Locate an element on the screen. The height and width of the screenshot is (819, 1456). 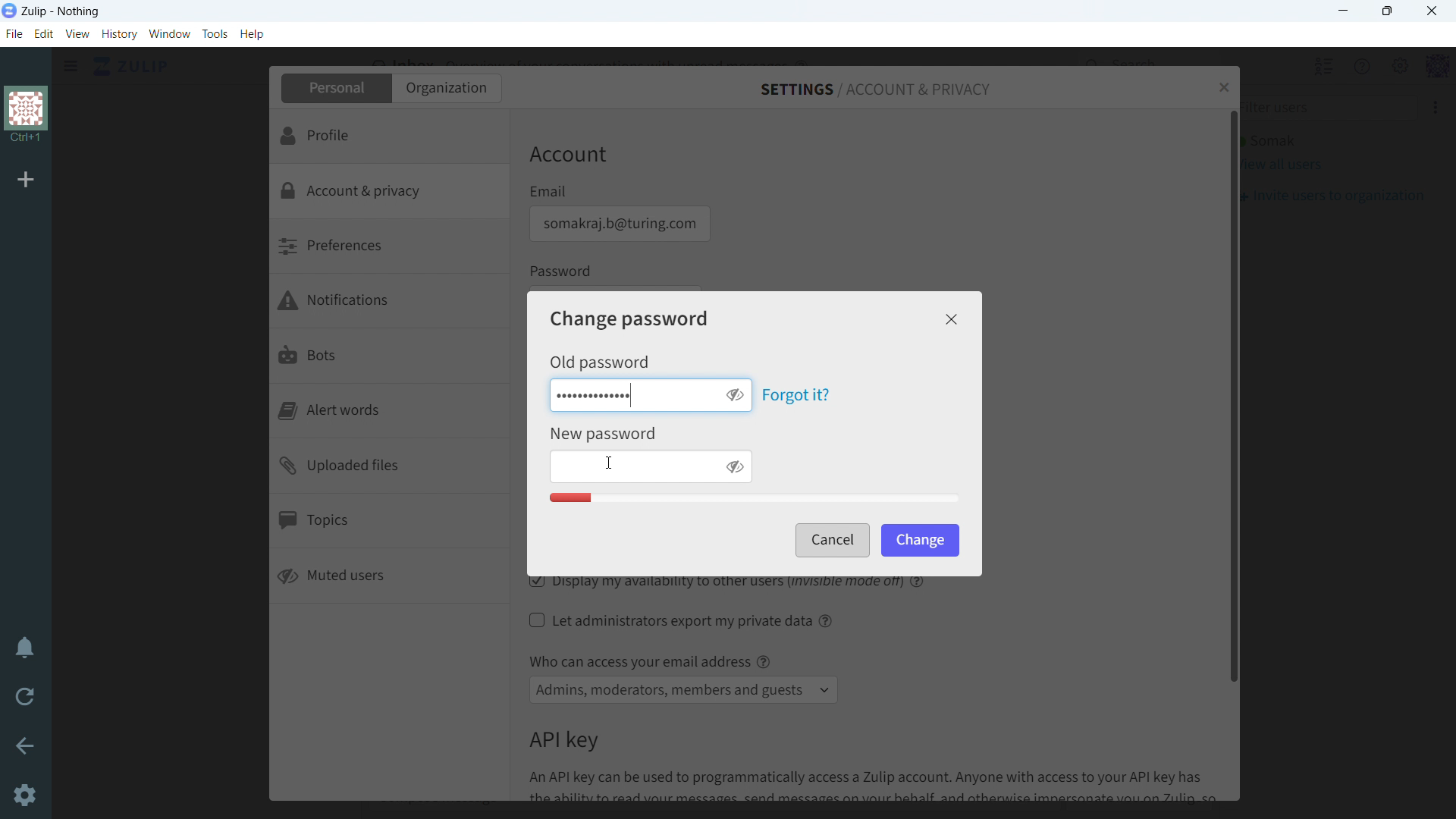
email is located at coordinates (618, 224).